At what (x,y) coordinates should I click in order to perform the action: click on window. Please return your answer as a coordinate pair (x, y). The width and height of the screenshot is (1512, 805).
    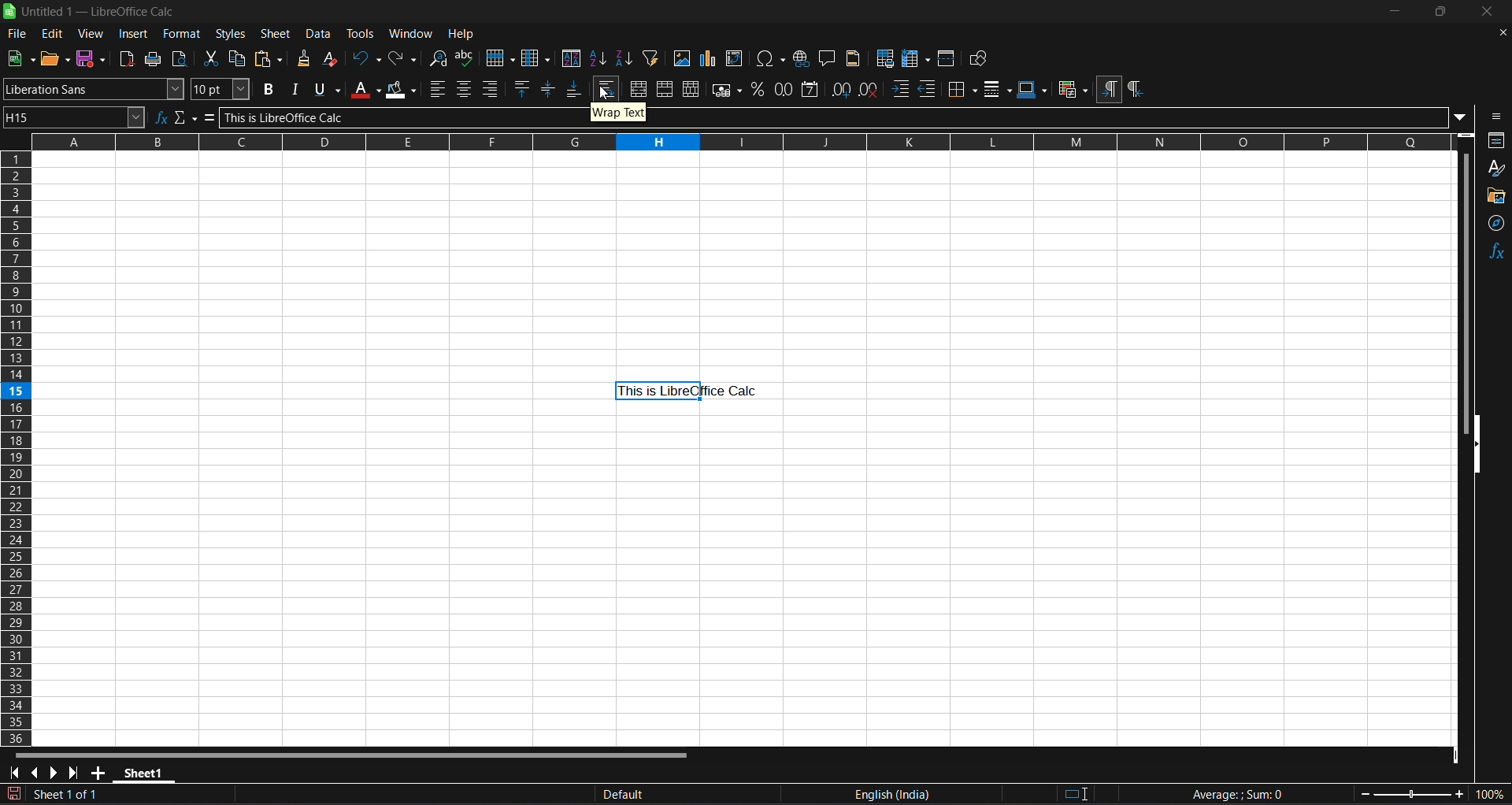
    Looking at the image, I should click on (411, 33).